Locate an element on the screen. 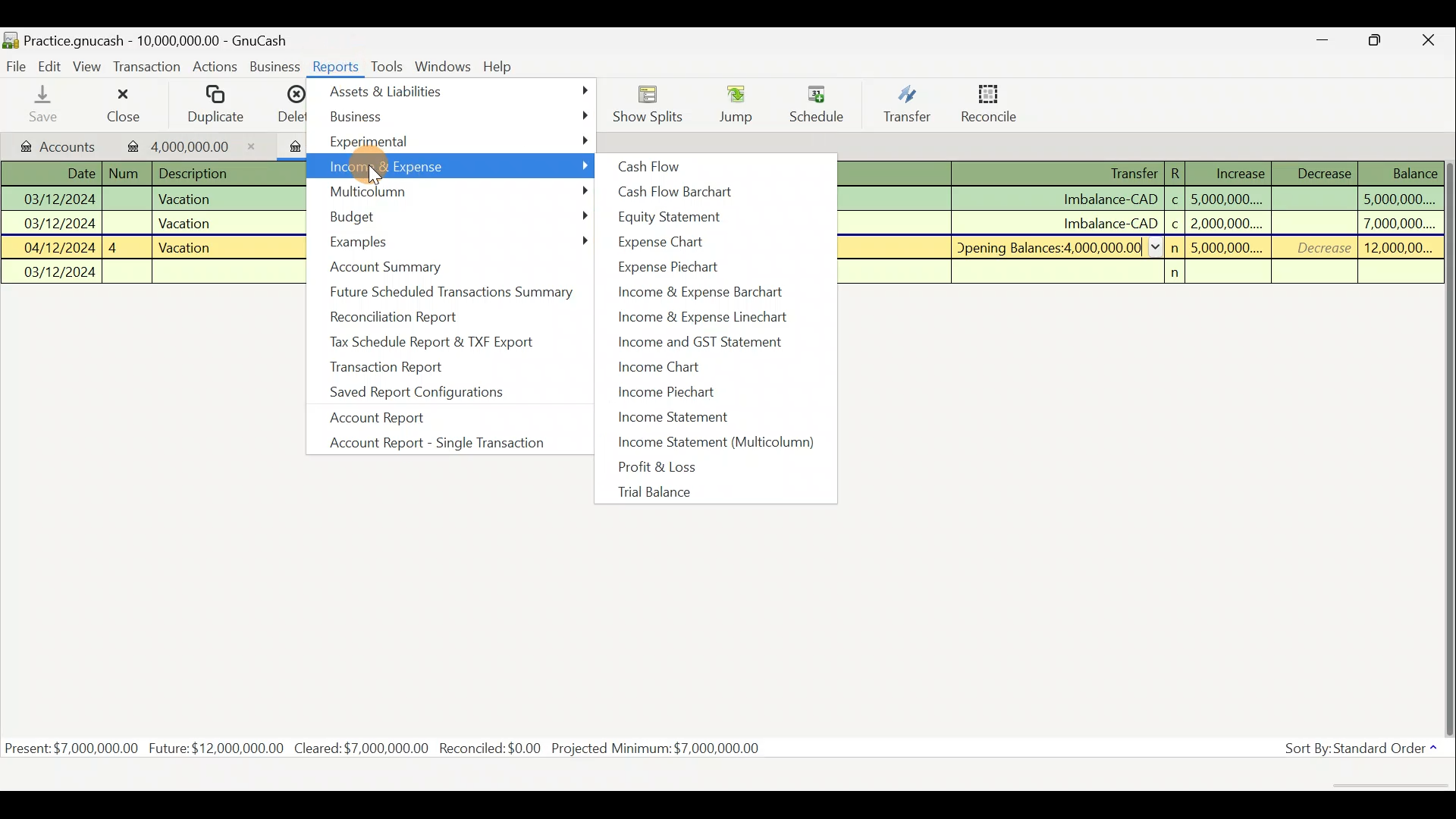 Image resolution: width=1456 pixels, height=819 pixels. Practice.gnucash - 10,000,000.00 - GnuCash is located at coordinates (147, 39).